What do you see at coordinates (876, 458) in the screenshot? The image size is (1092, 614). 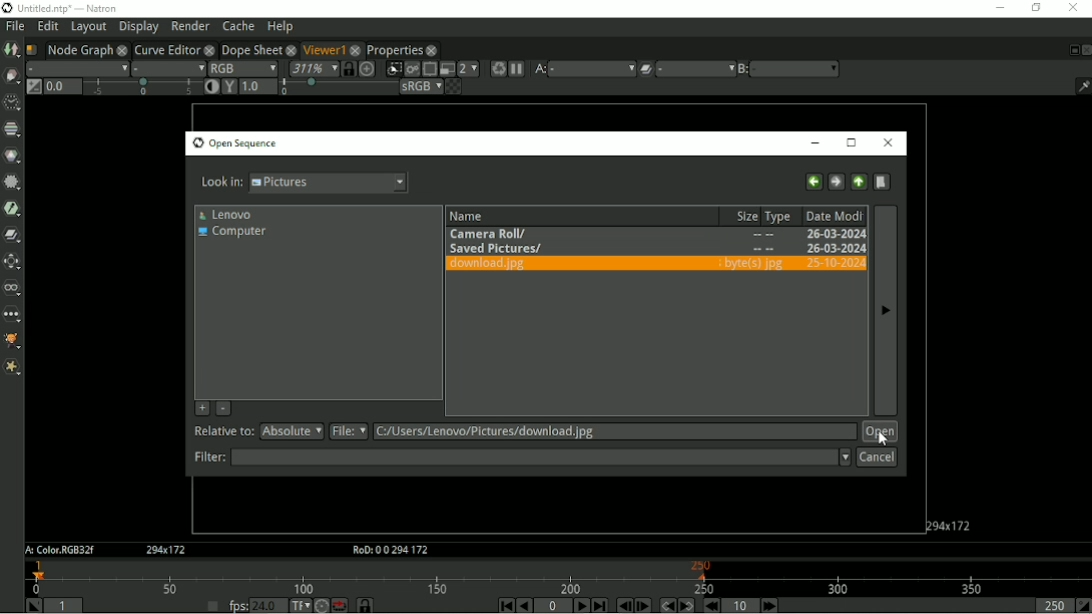 I see `Cancel` at bounding box center [876, 458].